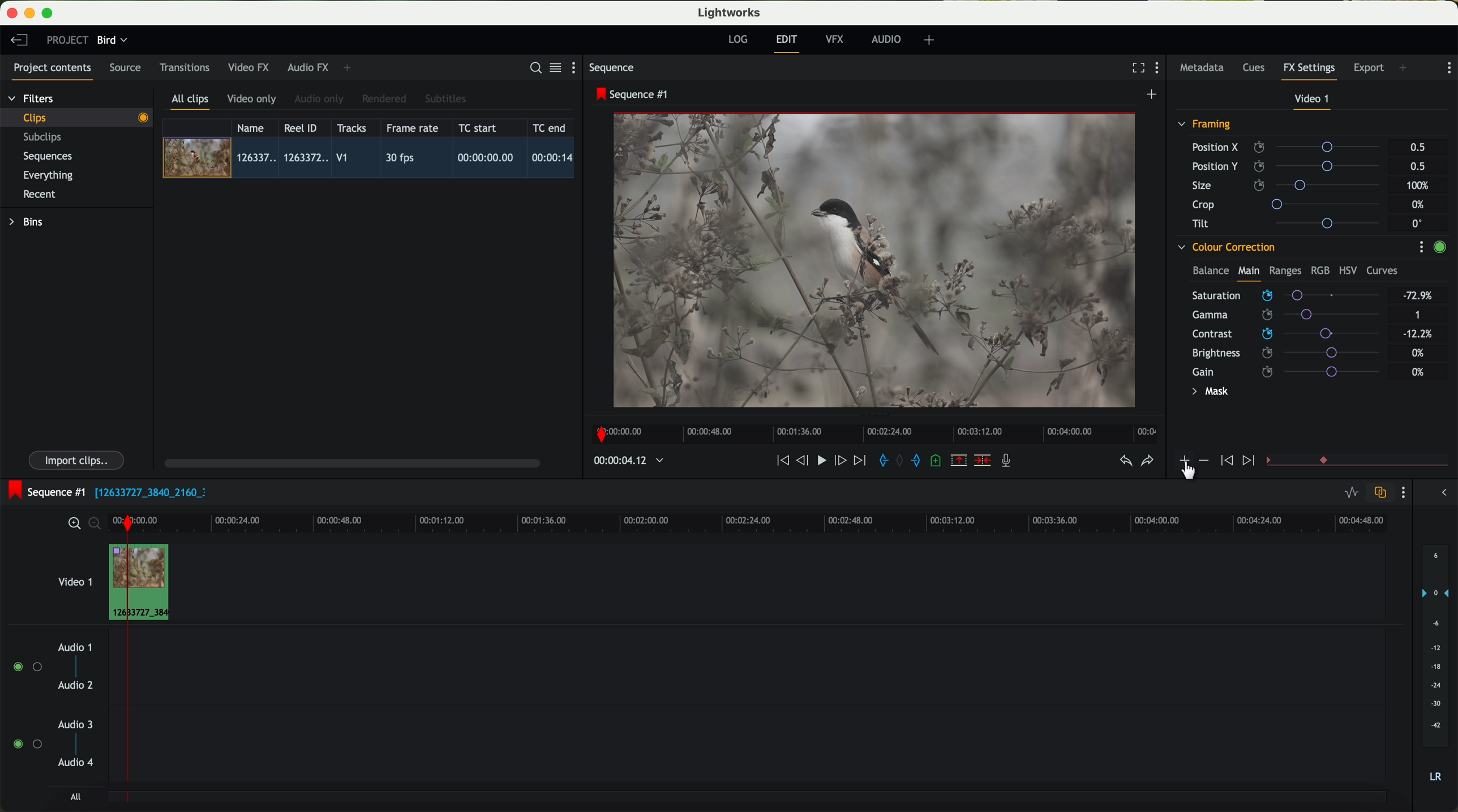  What do you see at coordinates (76, 763) in the screenshot?
I see `audio 4` at bounding box center [76, 763].